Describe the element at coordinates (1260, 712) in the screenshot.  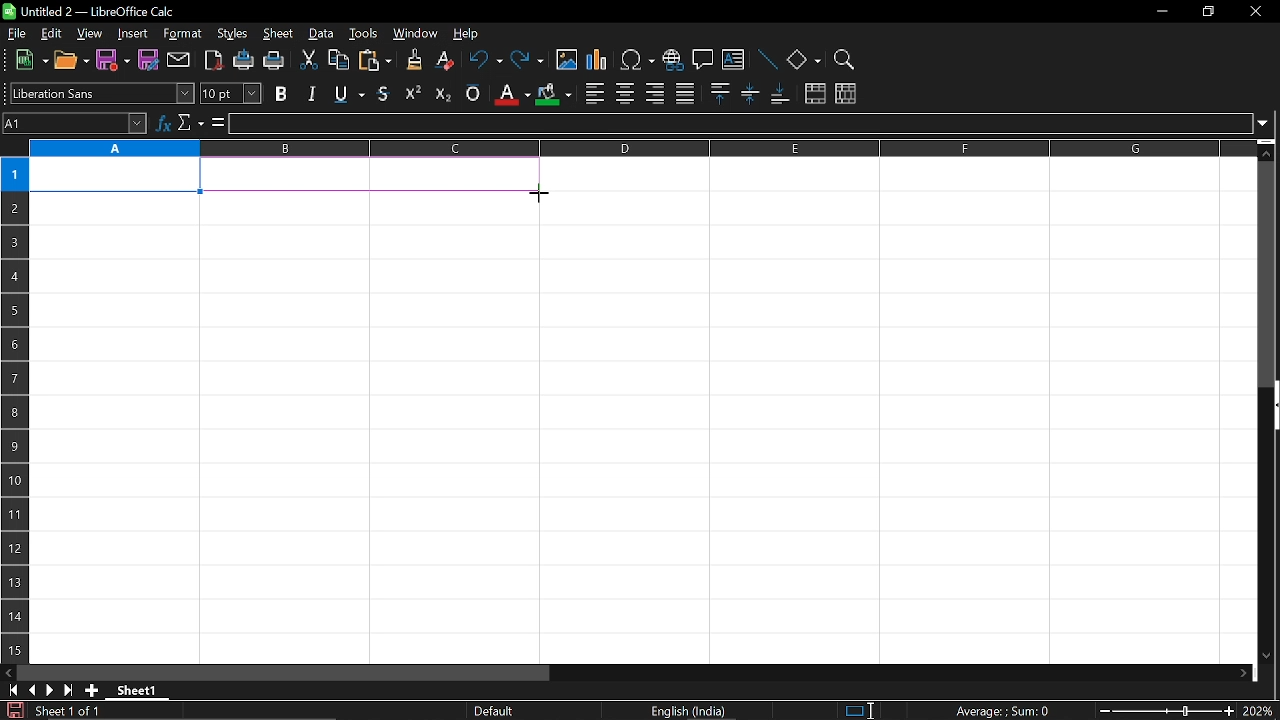
I see `current zoom` at that location.